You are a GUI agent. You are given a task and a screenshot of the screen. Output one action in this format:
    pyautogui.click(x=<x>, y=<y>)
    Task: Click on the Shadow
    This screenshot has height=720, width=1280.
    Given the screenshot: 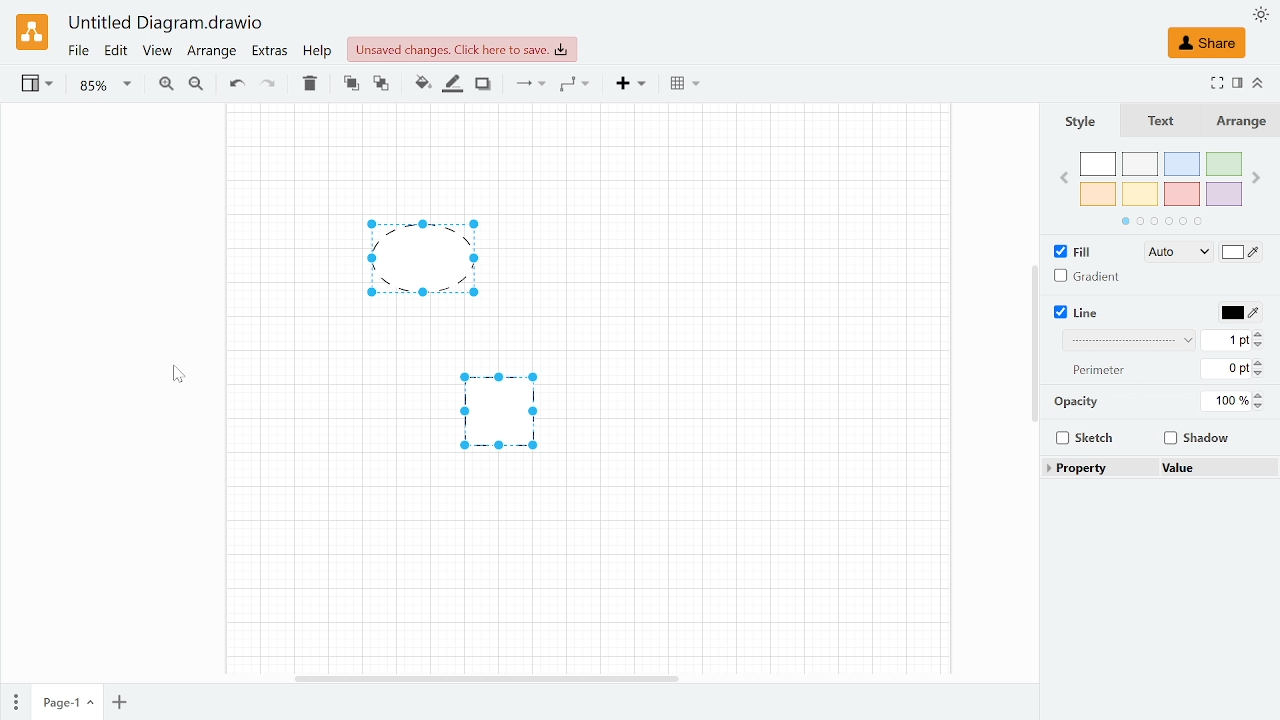 What is the action you would take?
    pyautogui.click(x=483, y=85)
    